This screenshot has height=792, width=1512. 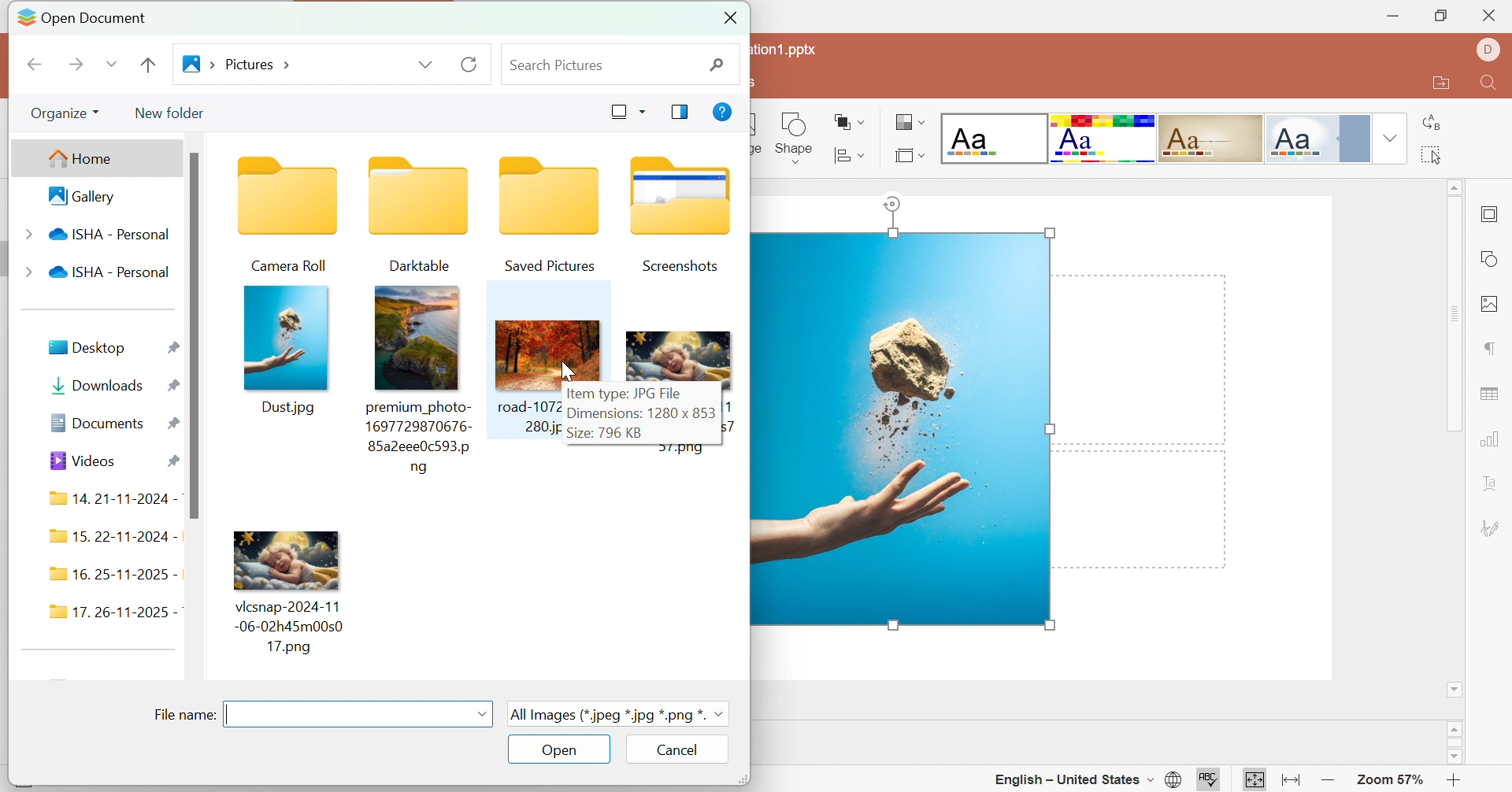 I want to click on Saved pictures, so click(x=544, y=213).